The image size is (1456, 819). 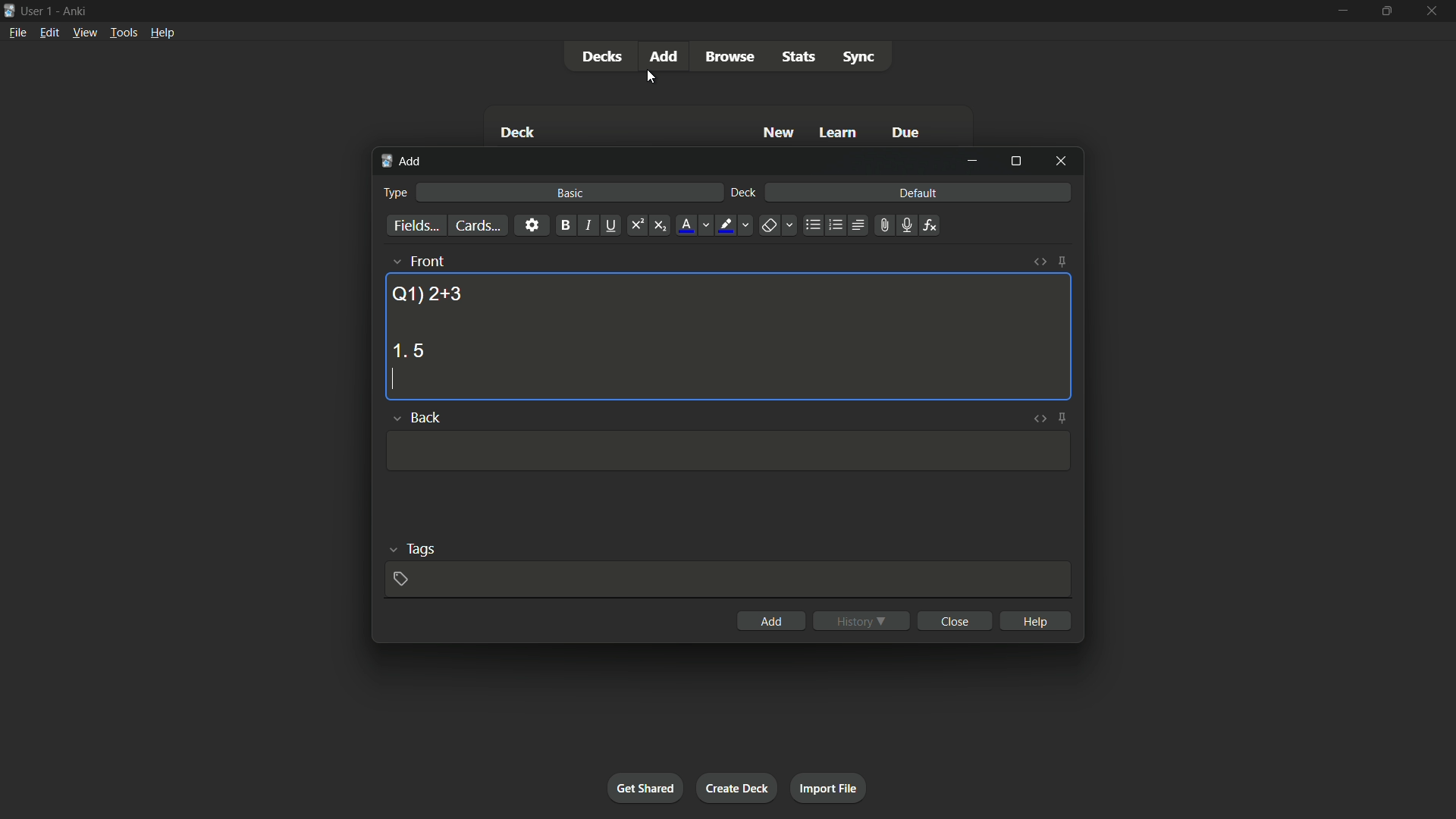 What do you see at coordinates (744, 193) in the screenshot?
I see `deck` at bounding box center [744, 193].